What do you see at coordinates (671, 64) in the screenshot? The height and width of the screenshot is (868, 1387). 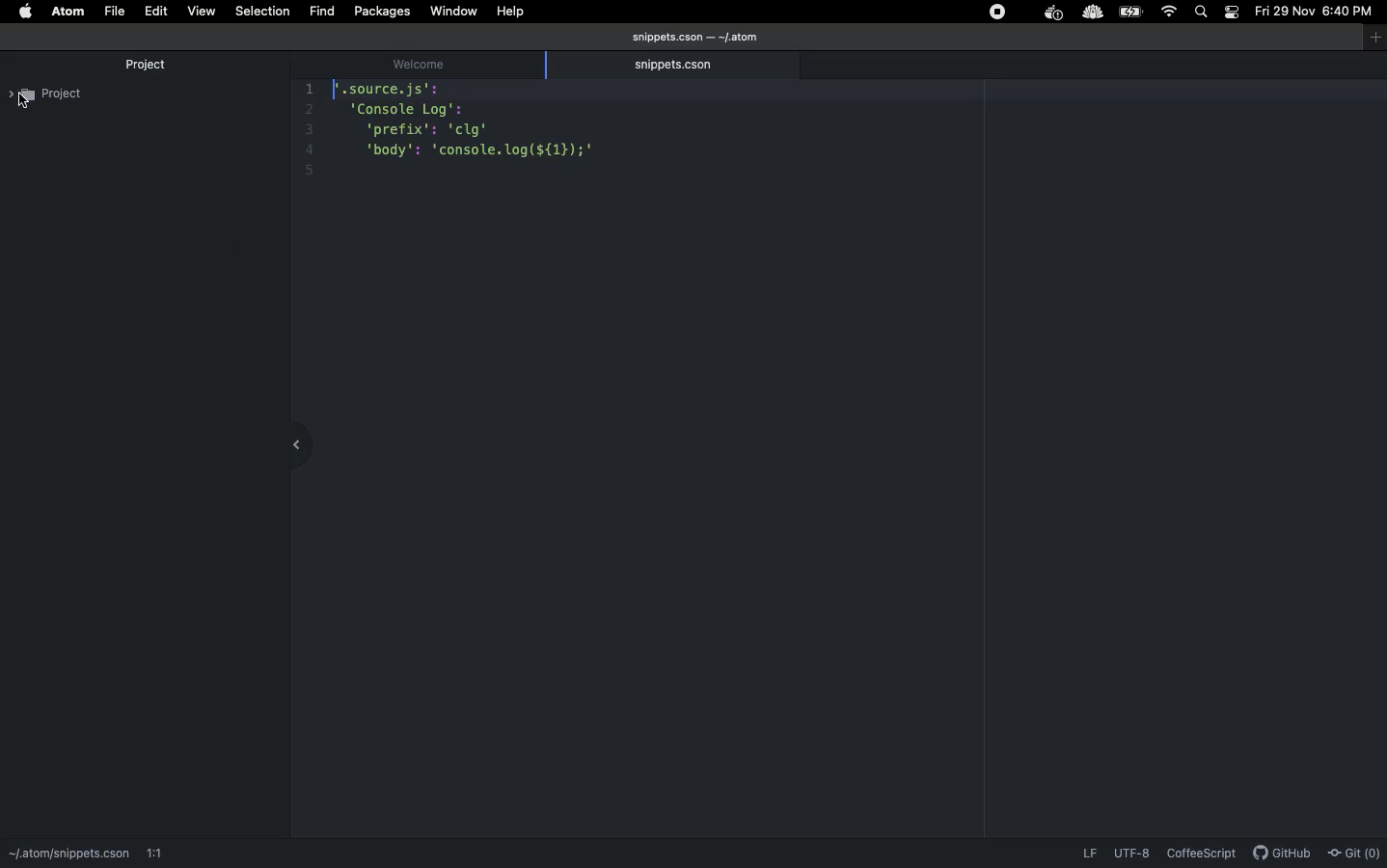 I see `snippets.cson` at bounding box center [671, 64].